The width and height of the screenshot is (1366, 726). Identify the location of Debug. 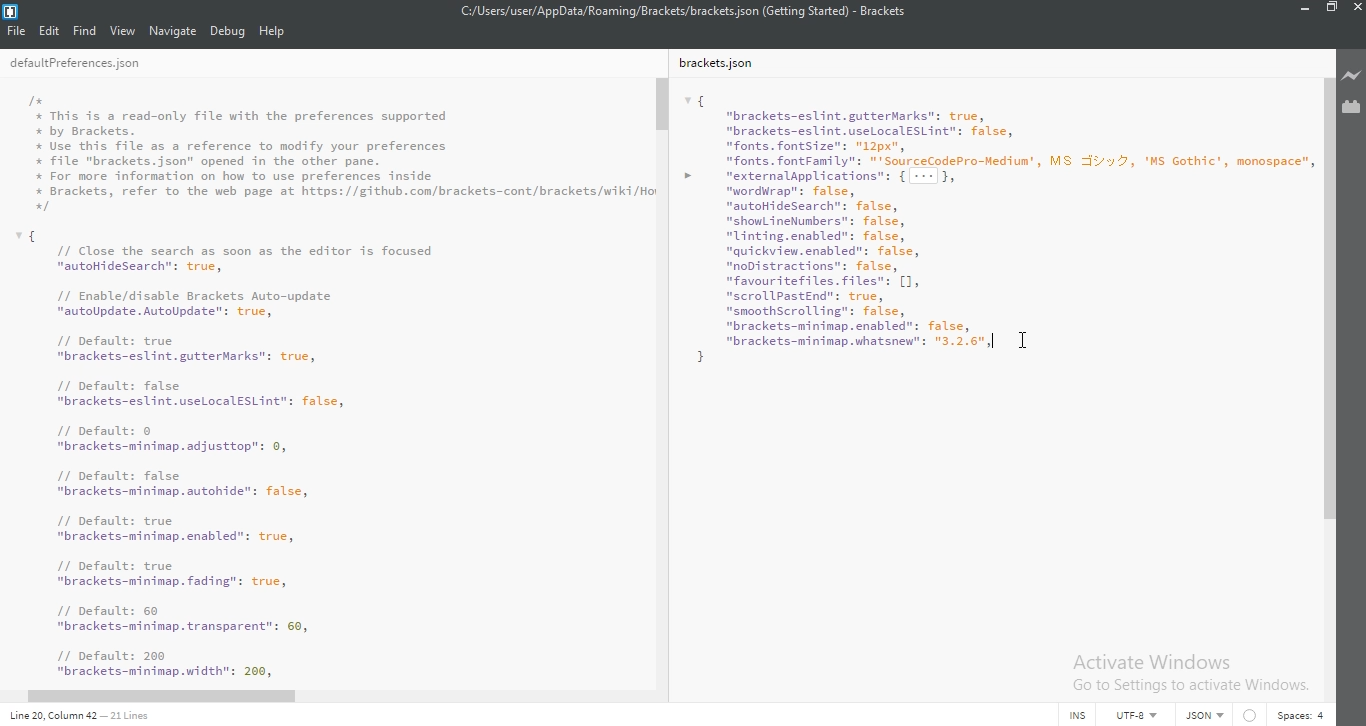
(228, 32).